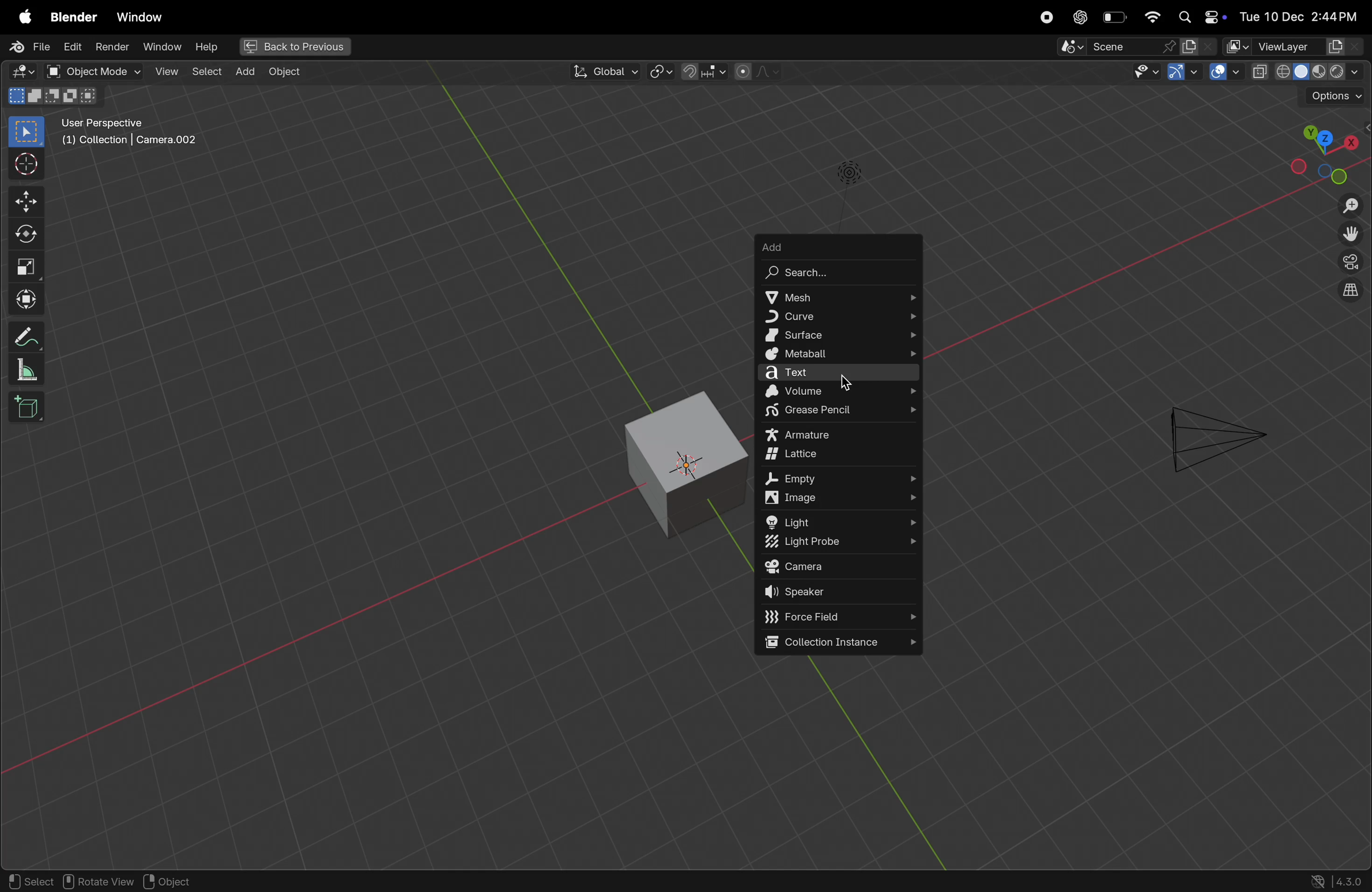 The width and height of the screenshot is (1372, 892). Describe the element at coordinates (840, 354) in the screenshot. I see `Metaball` at that location.